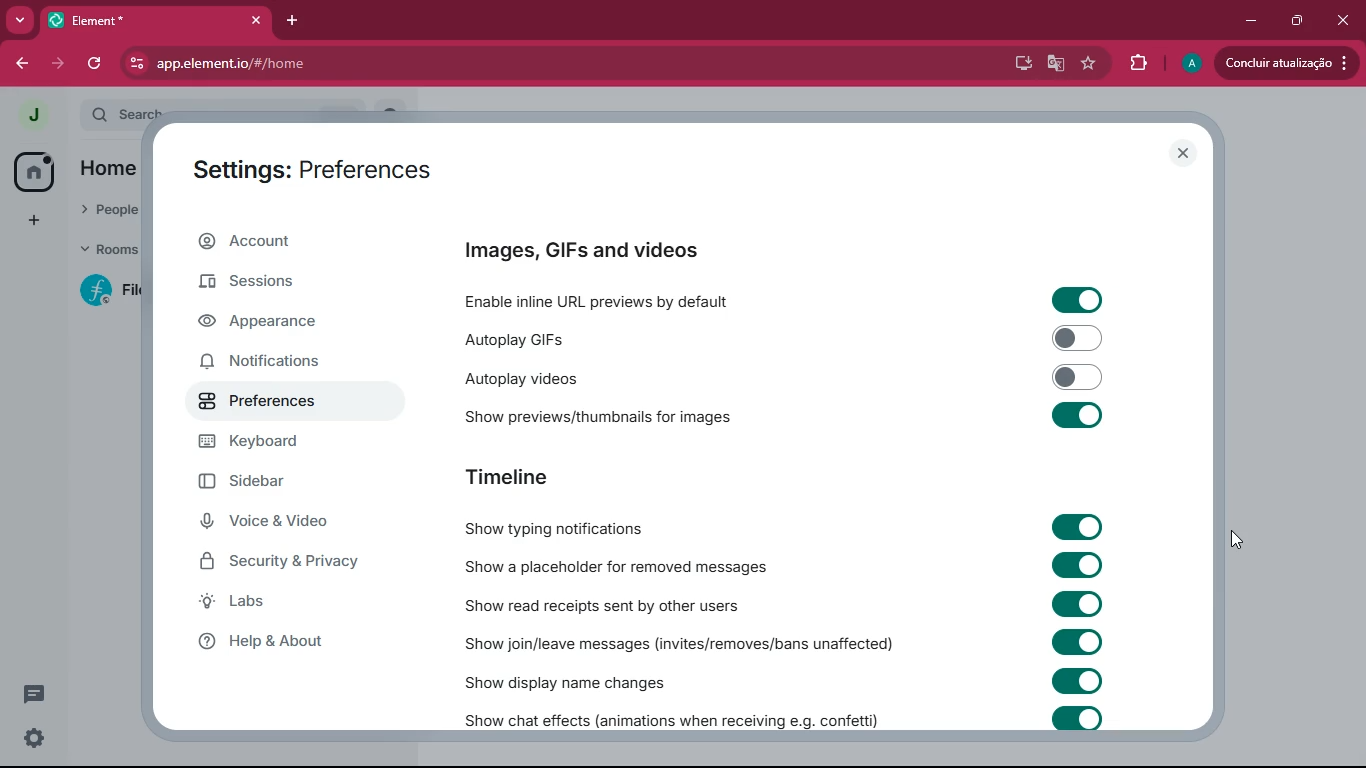 The width and height of the screenshot is (1366, 768). Describe the element at coordinates (1236, 539) in the screenshot. I see `mouse up` at that location.